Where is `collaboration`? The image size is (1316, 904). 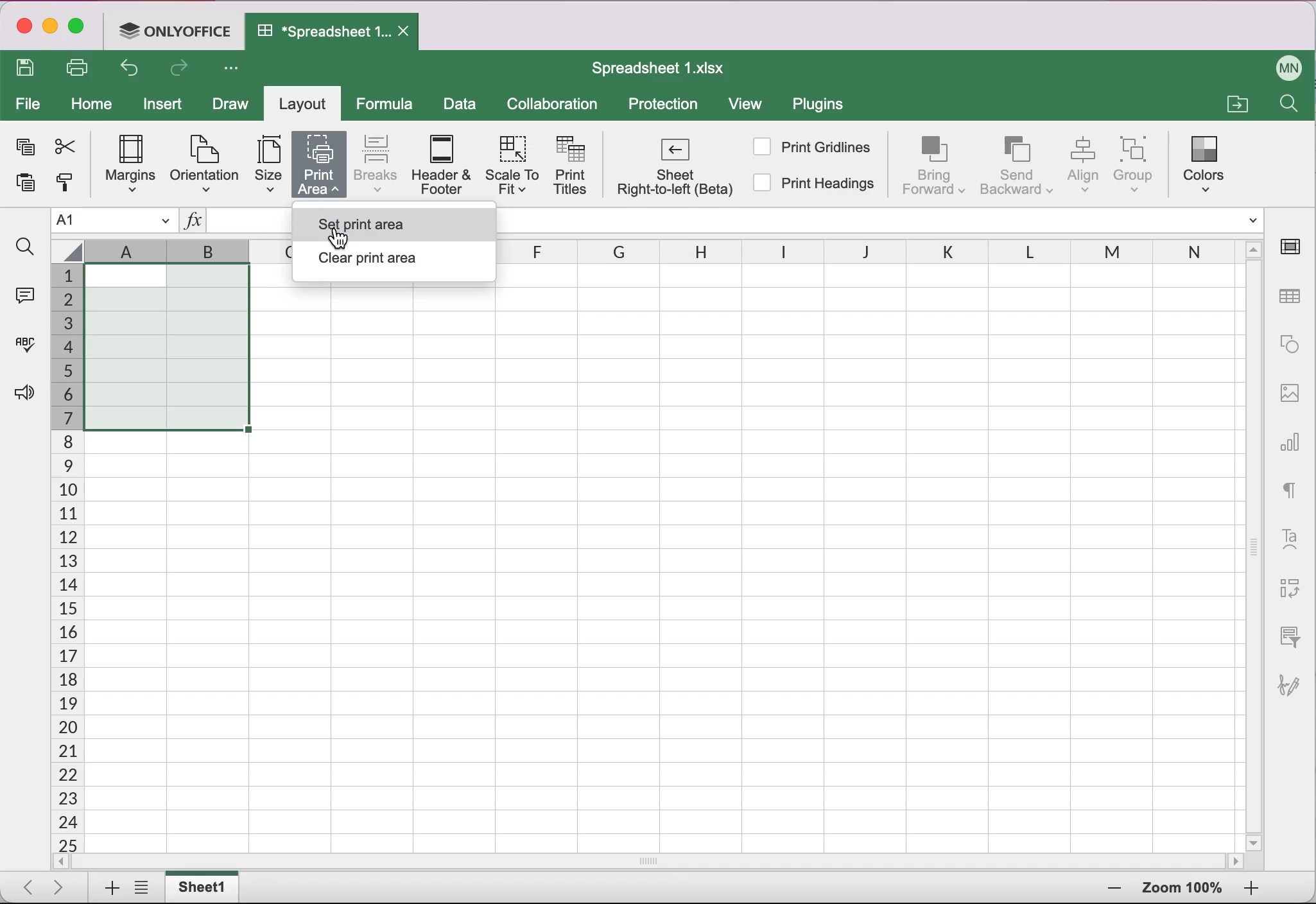
collaboration is located at coordinates (558, 105).